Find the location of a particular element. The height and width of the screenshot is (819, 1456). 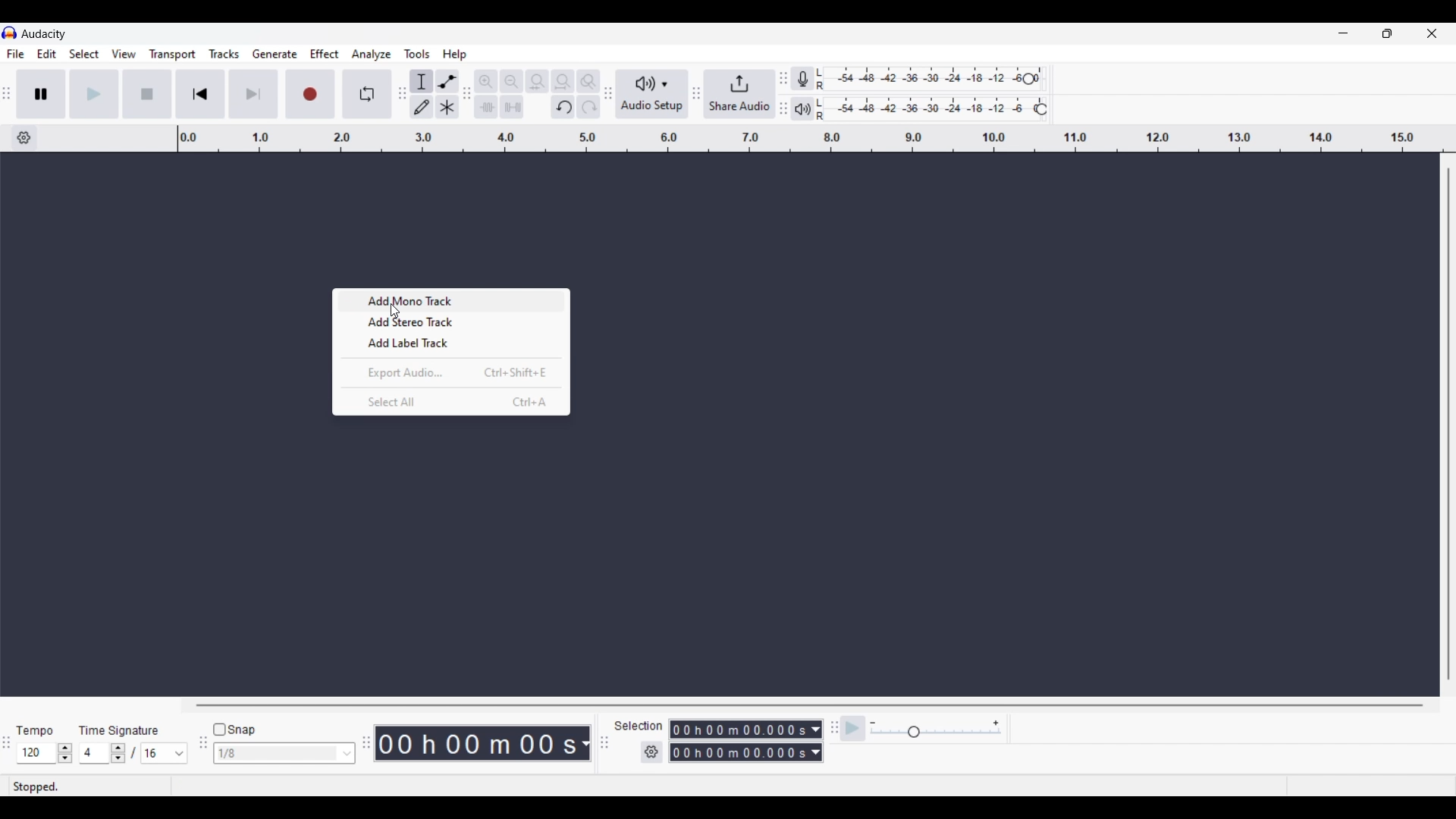

Zoom out is located at coordinates (511, 81).